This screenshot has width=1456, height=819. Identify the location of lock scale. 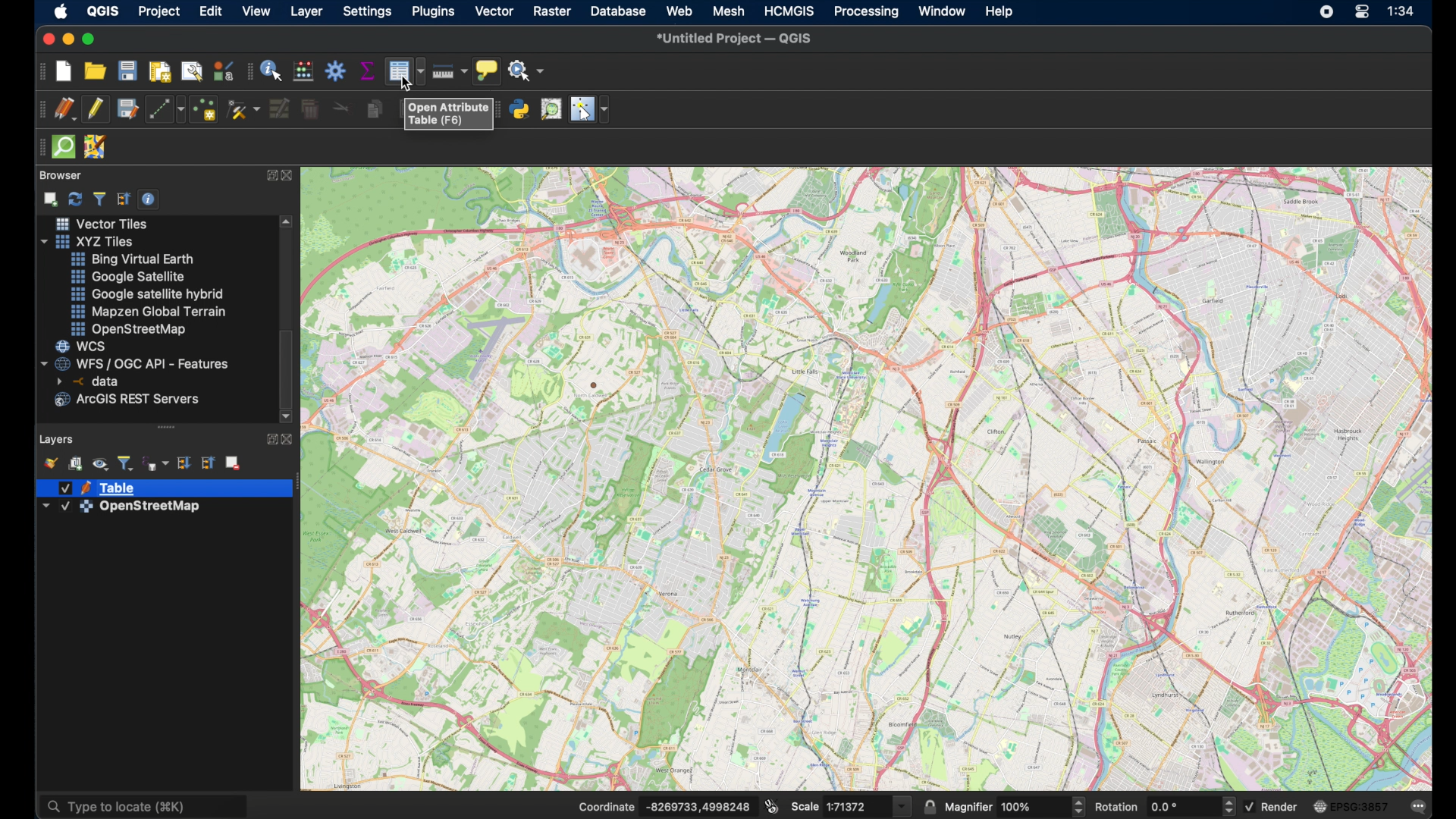
(927, 805).